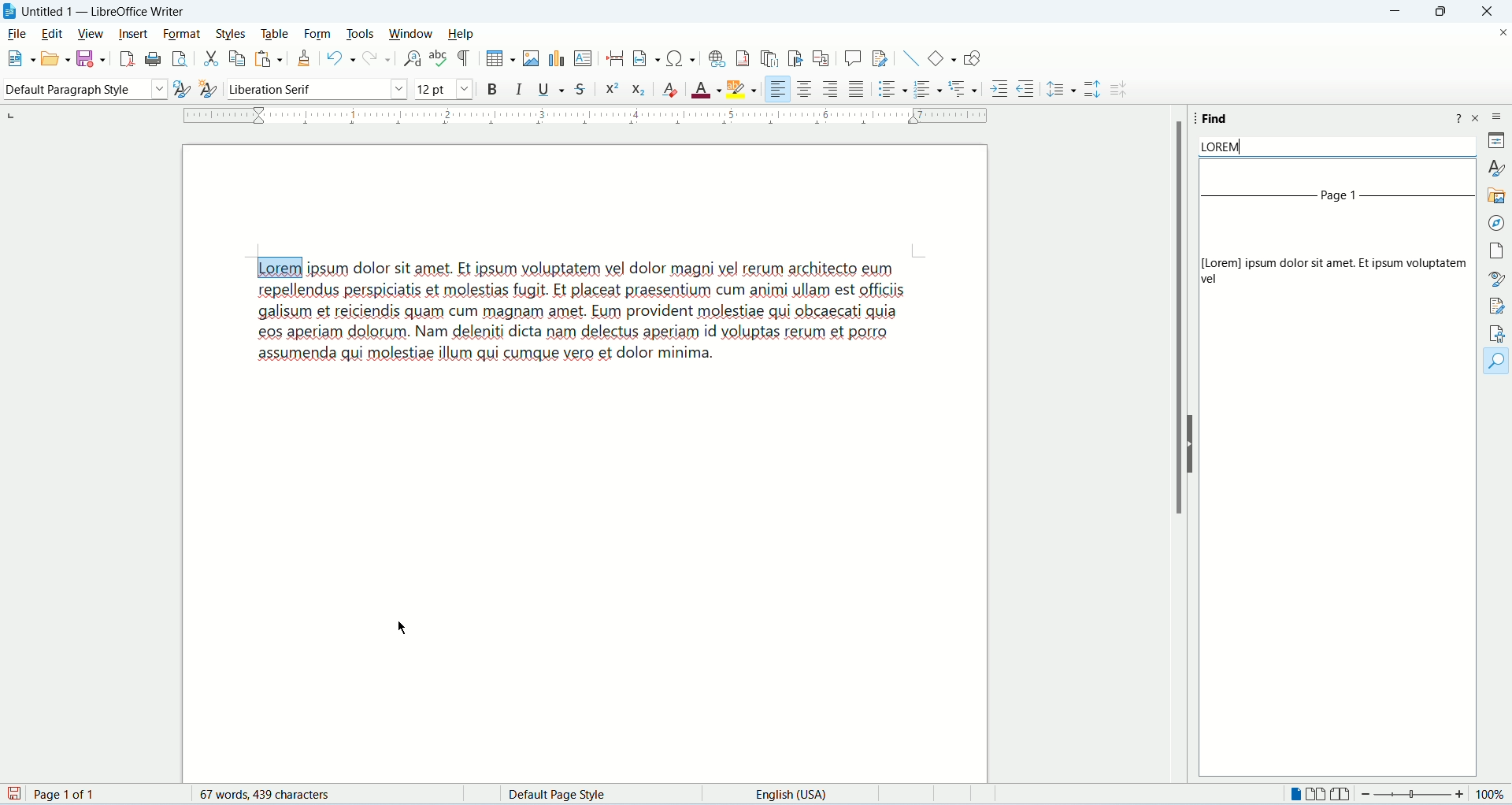 The image size is (1512, 805). I want to click on sidebar, so click(1496, 116).